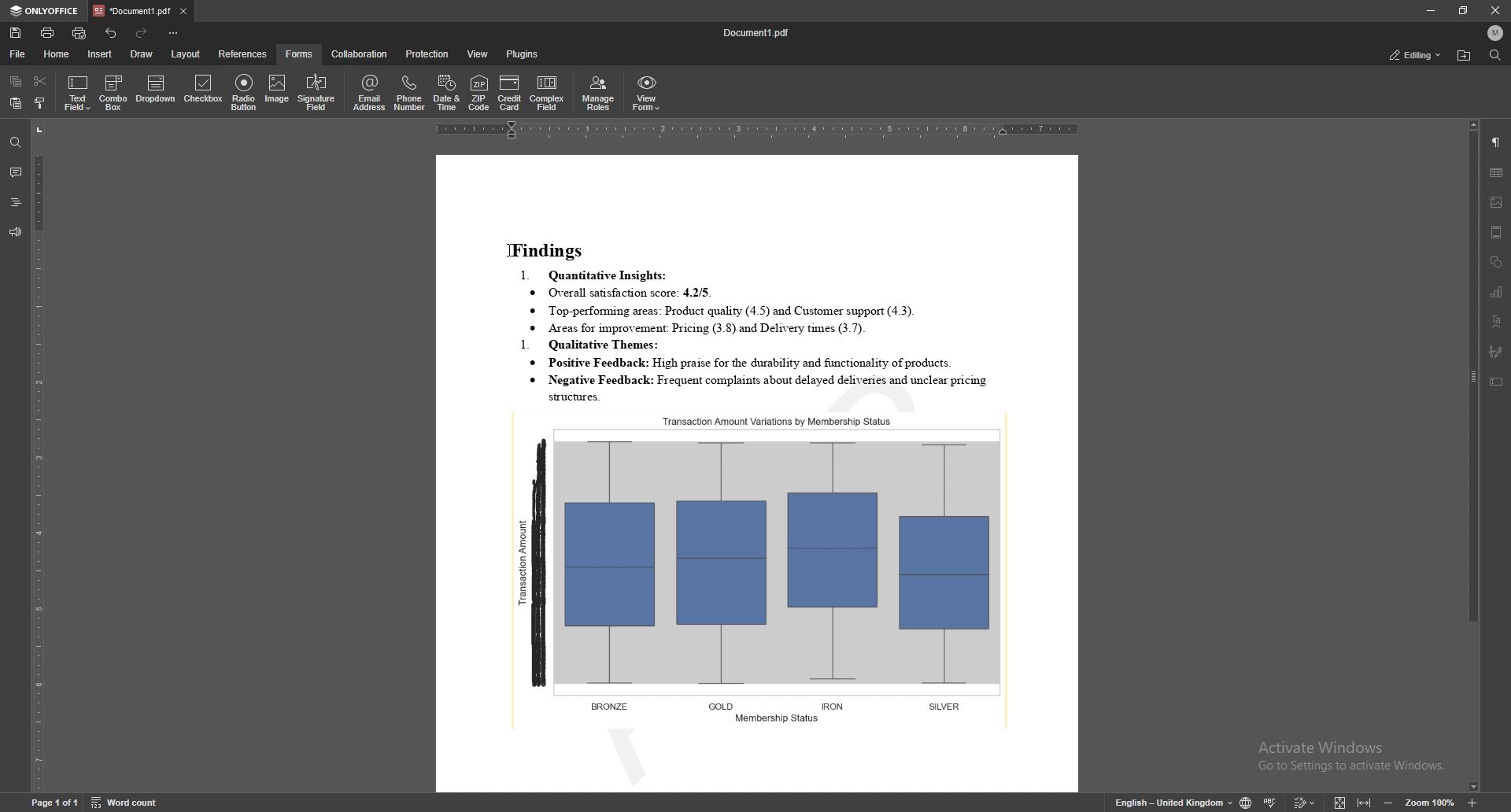  I want to click on copy, so click(16, 82).